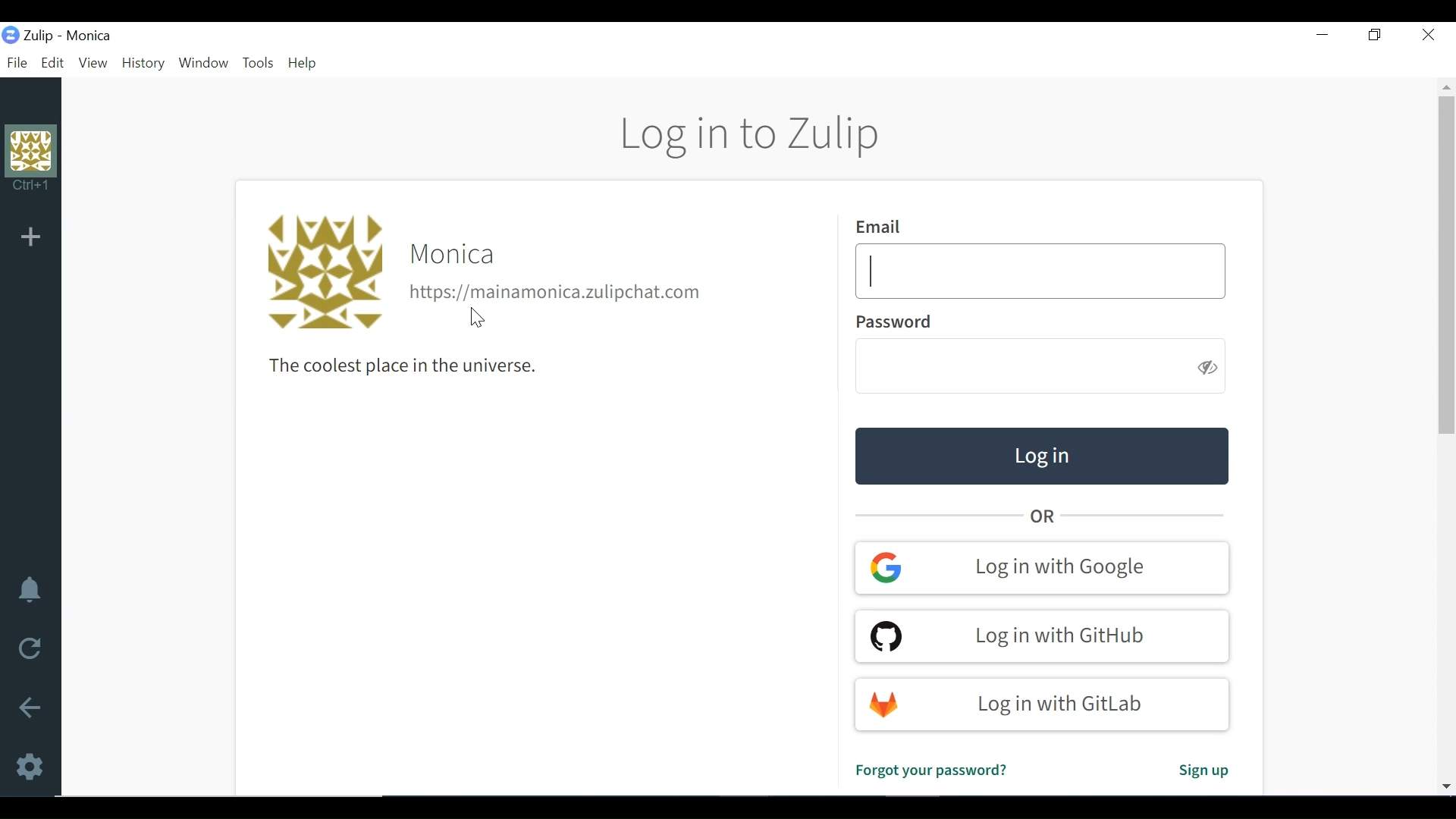 This screenshot has height=819, width=1456. Describe the element at coordinates (322, 272) in the screenshot. I see `Profile photo` at that location.